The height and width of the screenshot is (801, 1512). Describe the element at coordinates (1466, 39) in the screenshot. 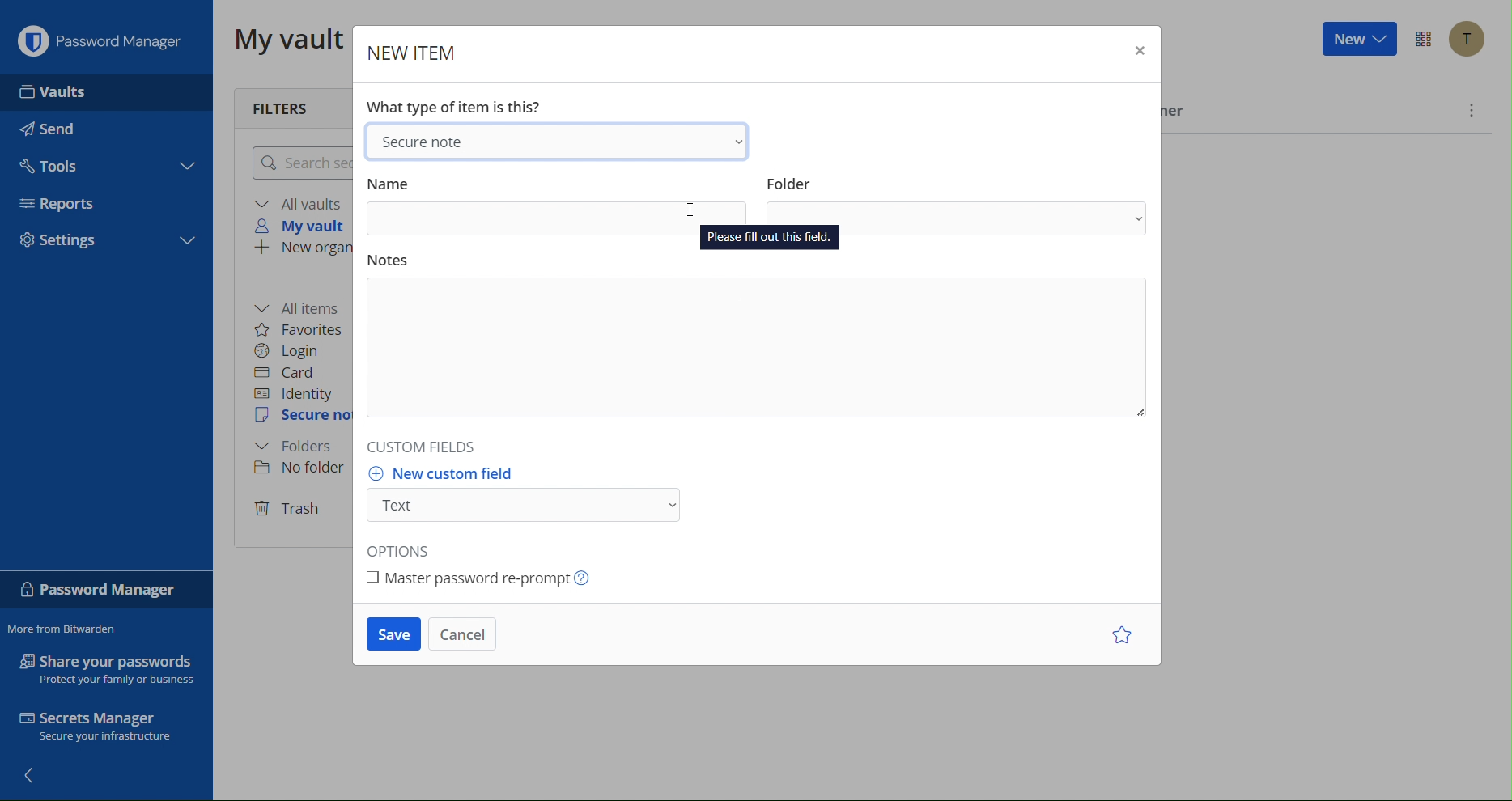

I see `Account` at that location.